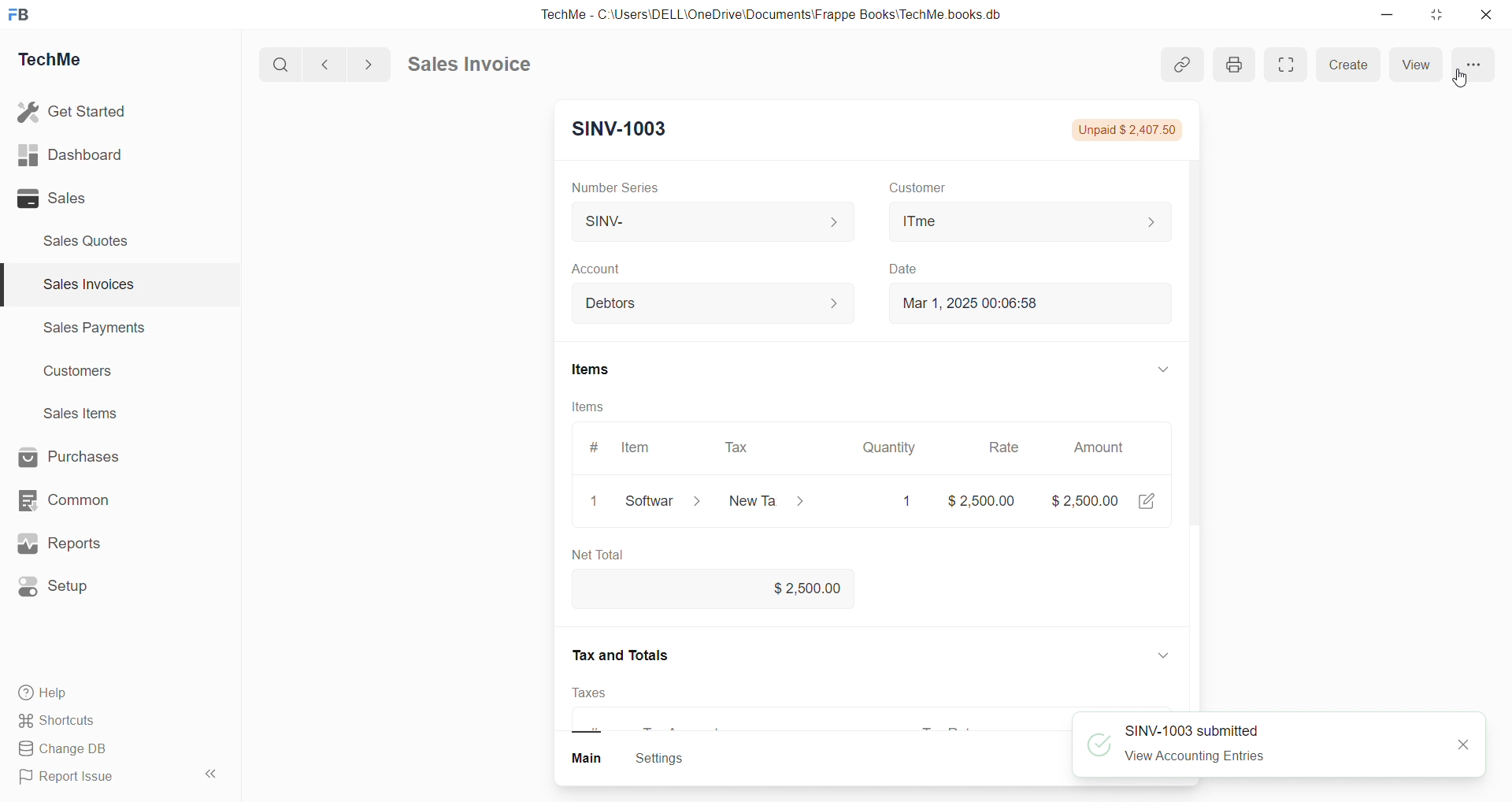  I want to click on Save, so click(1443, 61).